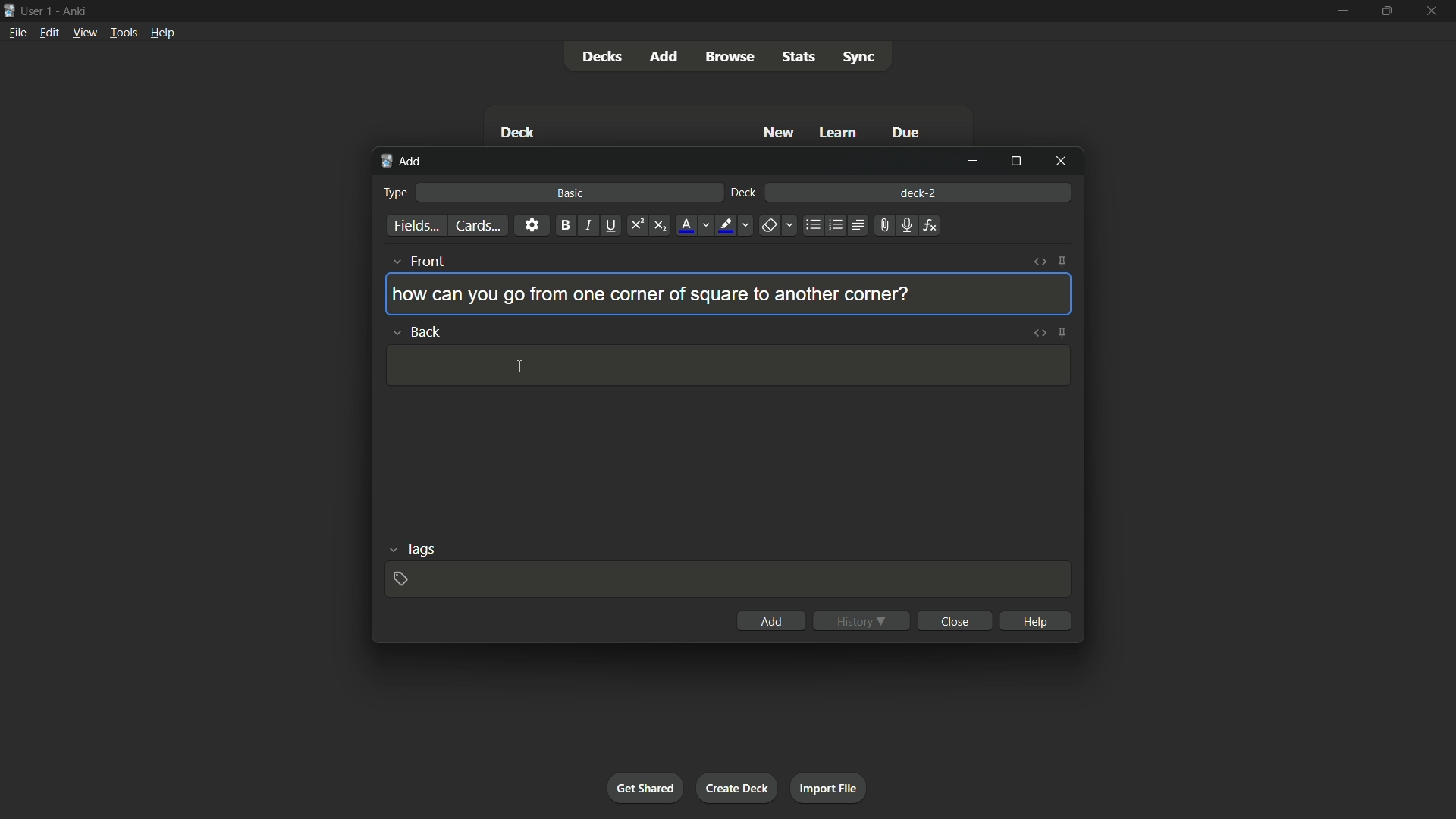  Describe the element at coordinates (647, 788) in the screenshot. I see `get shared` at that location.